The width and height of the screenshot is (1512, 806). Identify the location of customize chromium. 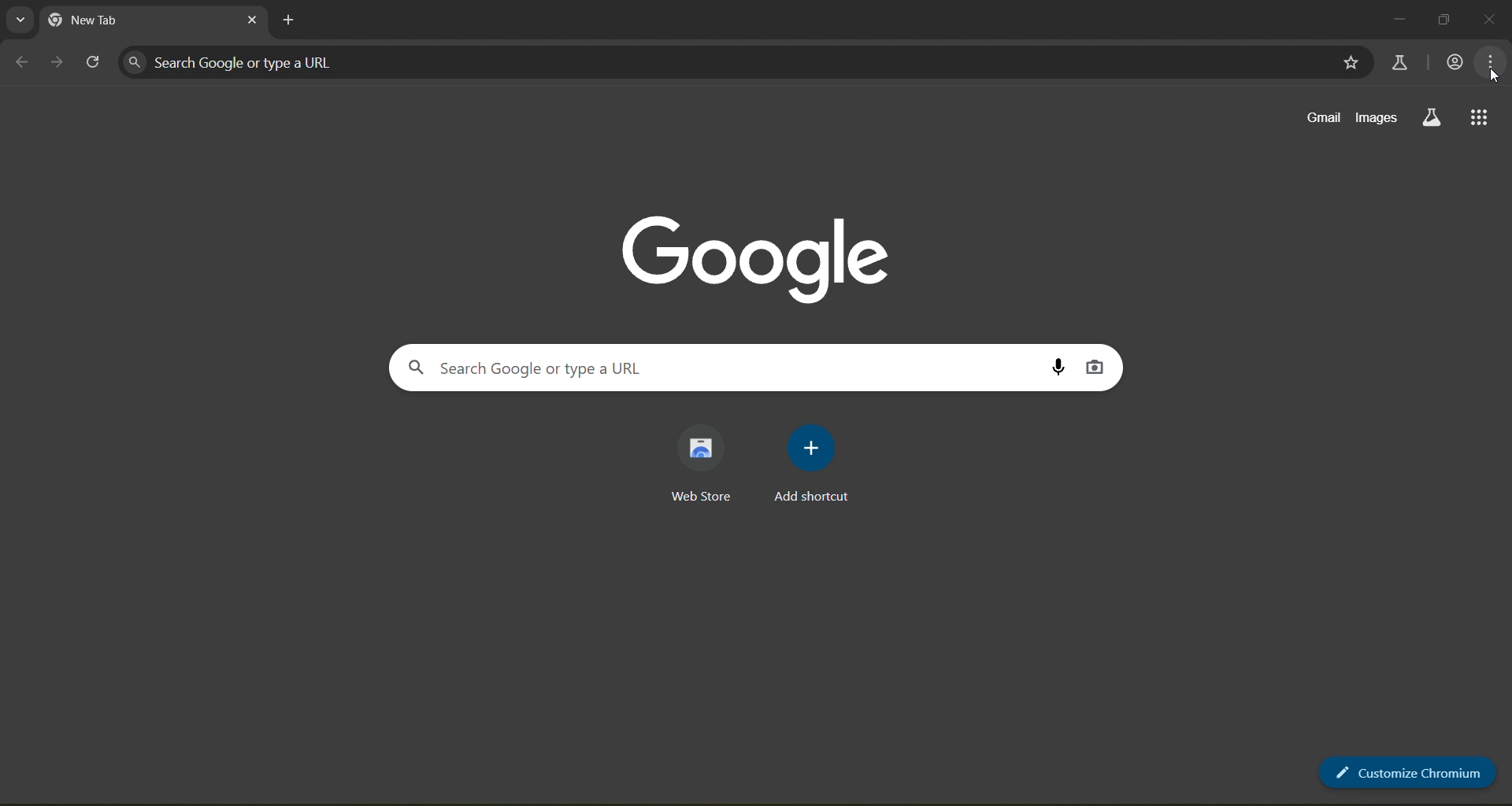
(1406, 773).